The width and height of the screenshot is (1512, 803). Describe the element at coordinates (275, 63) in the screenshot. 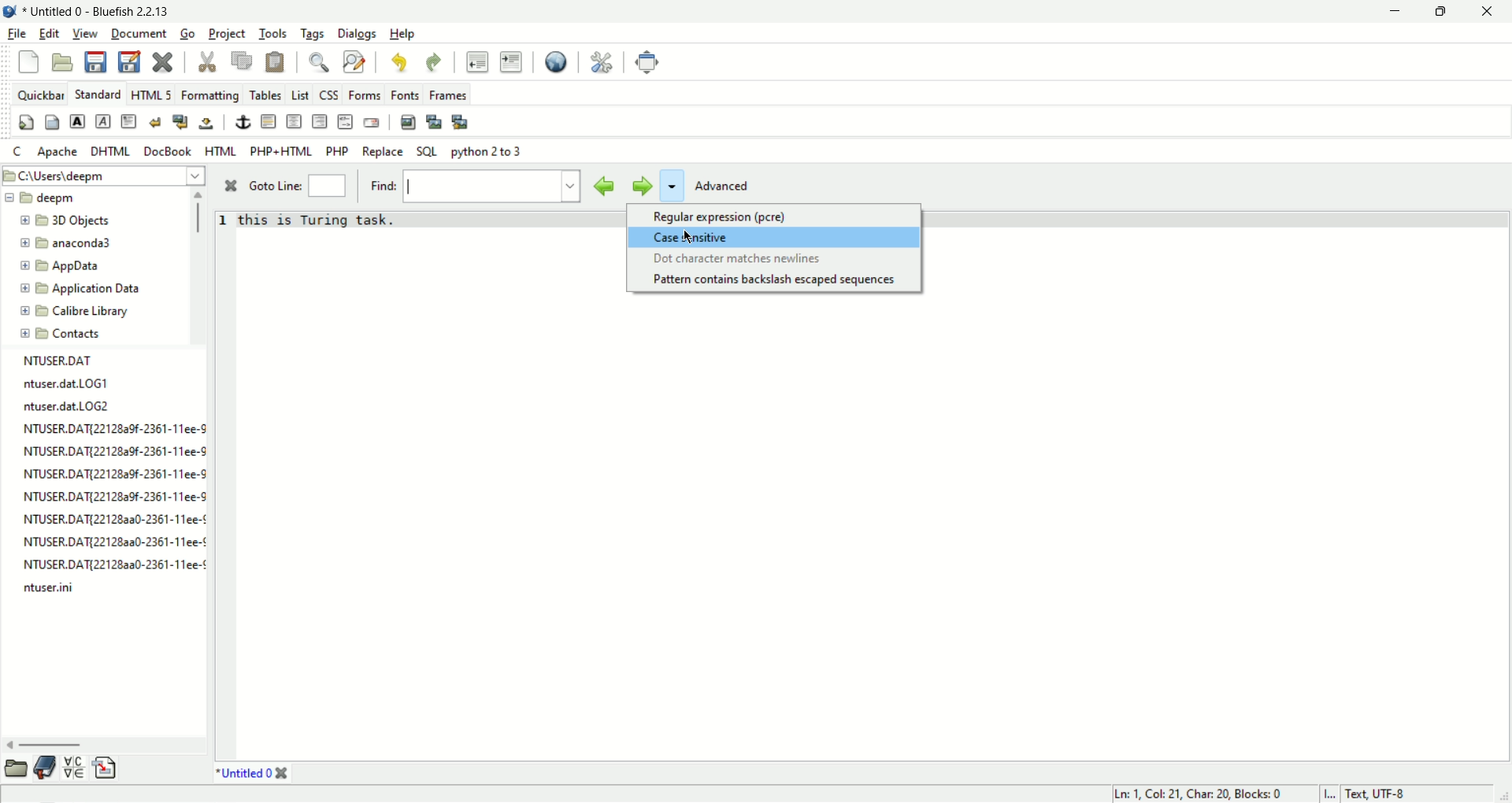

I see `paste` at that location.